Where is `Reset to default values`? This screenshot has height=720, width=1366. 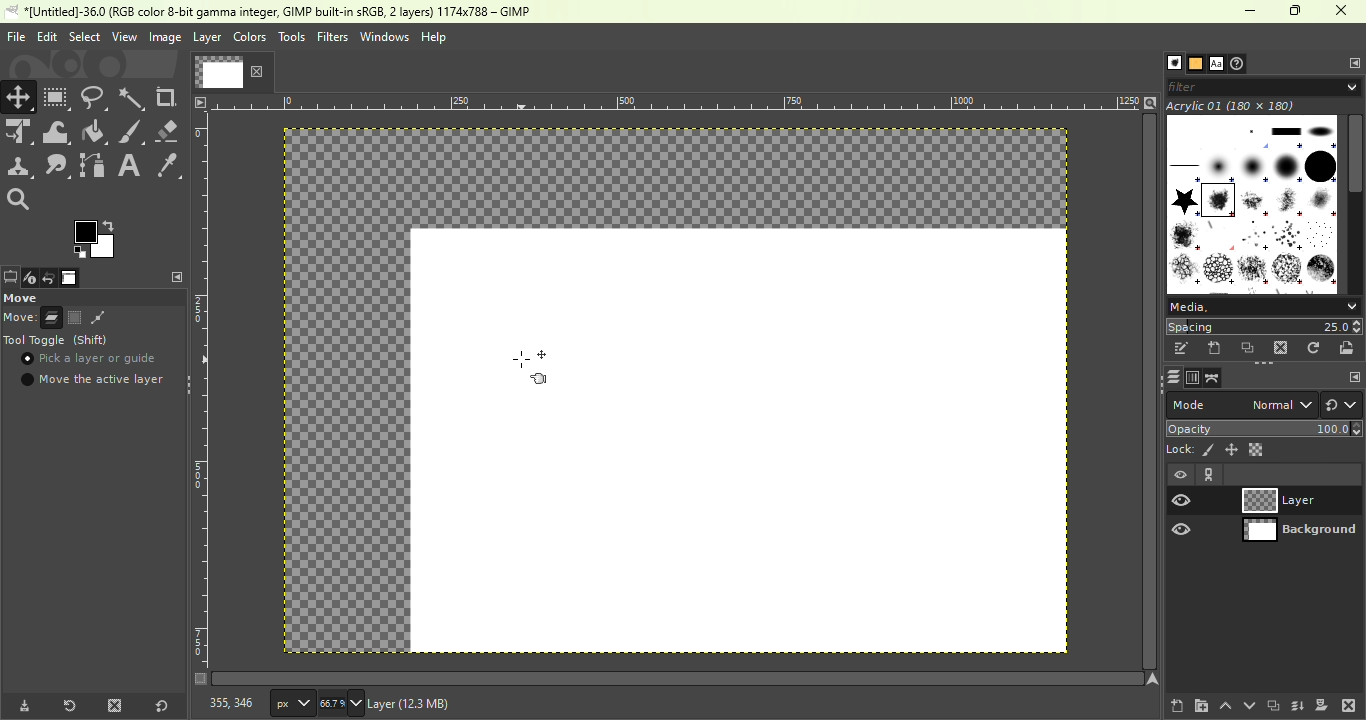 Reset to default values is located at coordinates (159, 703).